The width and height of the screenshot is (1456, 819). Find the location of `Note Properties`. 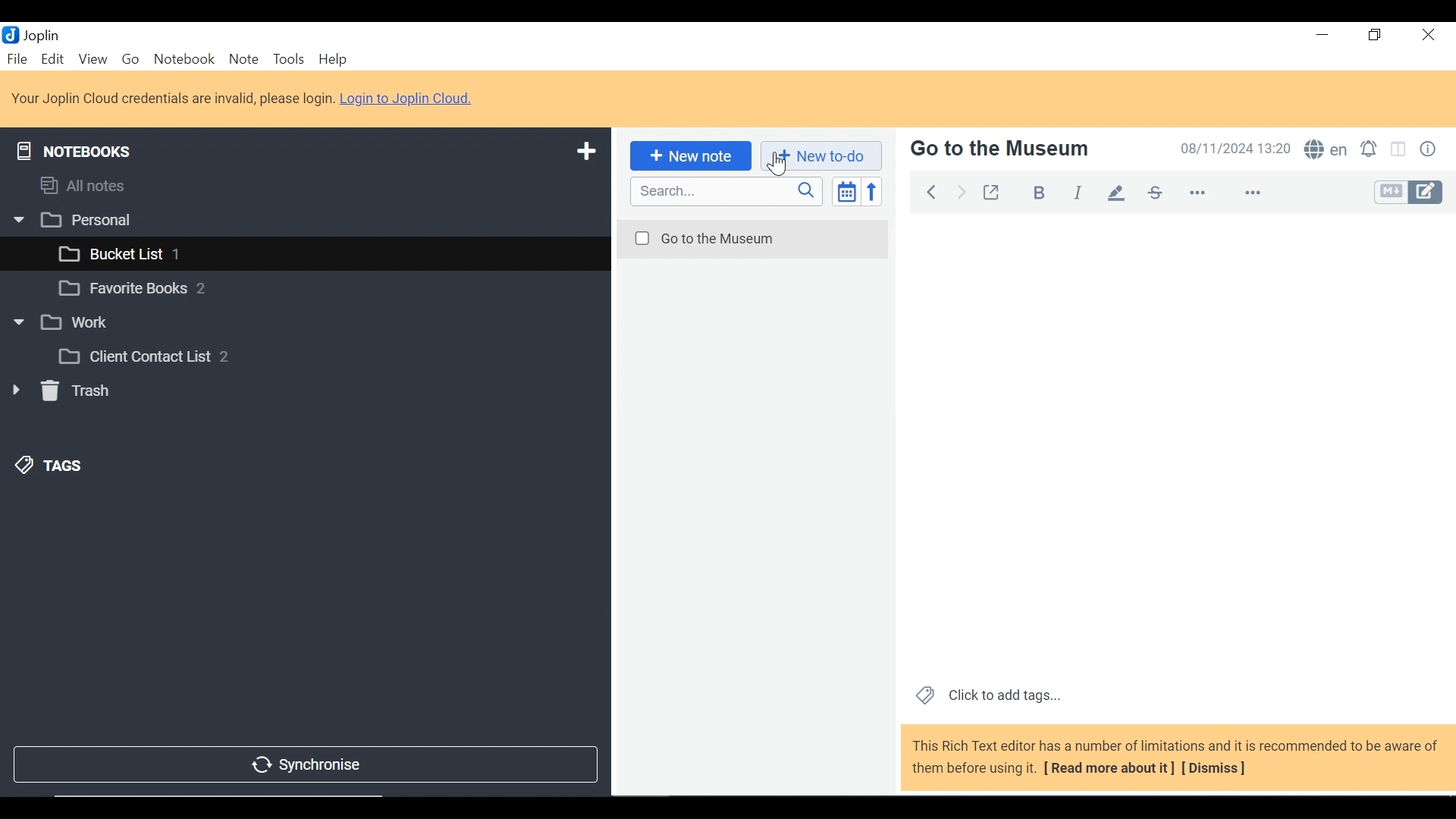

Note Properties is located at coordinates (1430, 149).